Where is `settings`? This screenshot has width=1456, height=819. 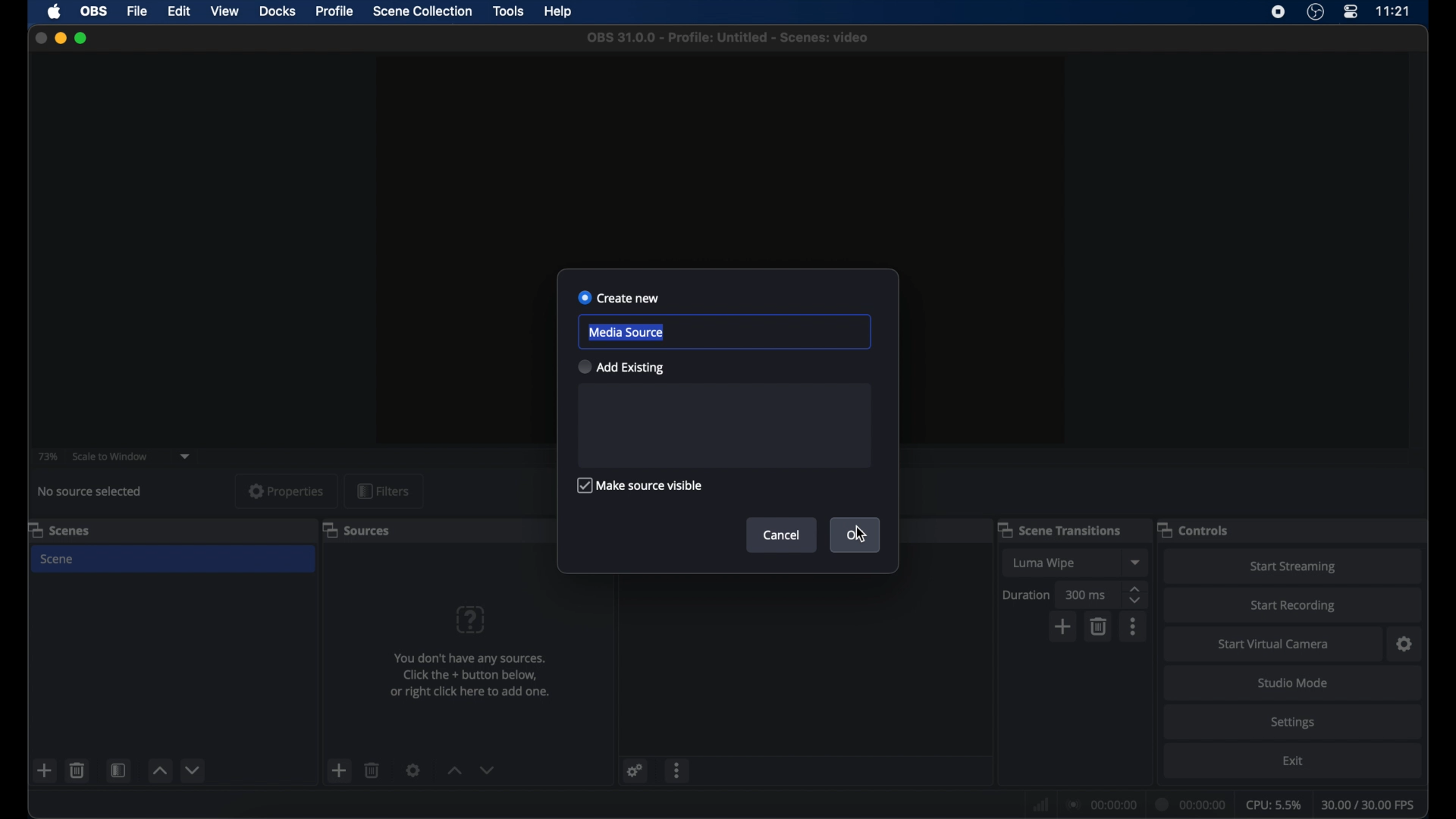 settings is located at coordinates (414, 770).